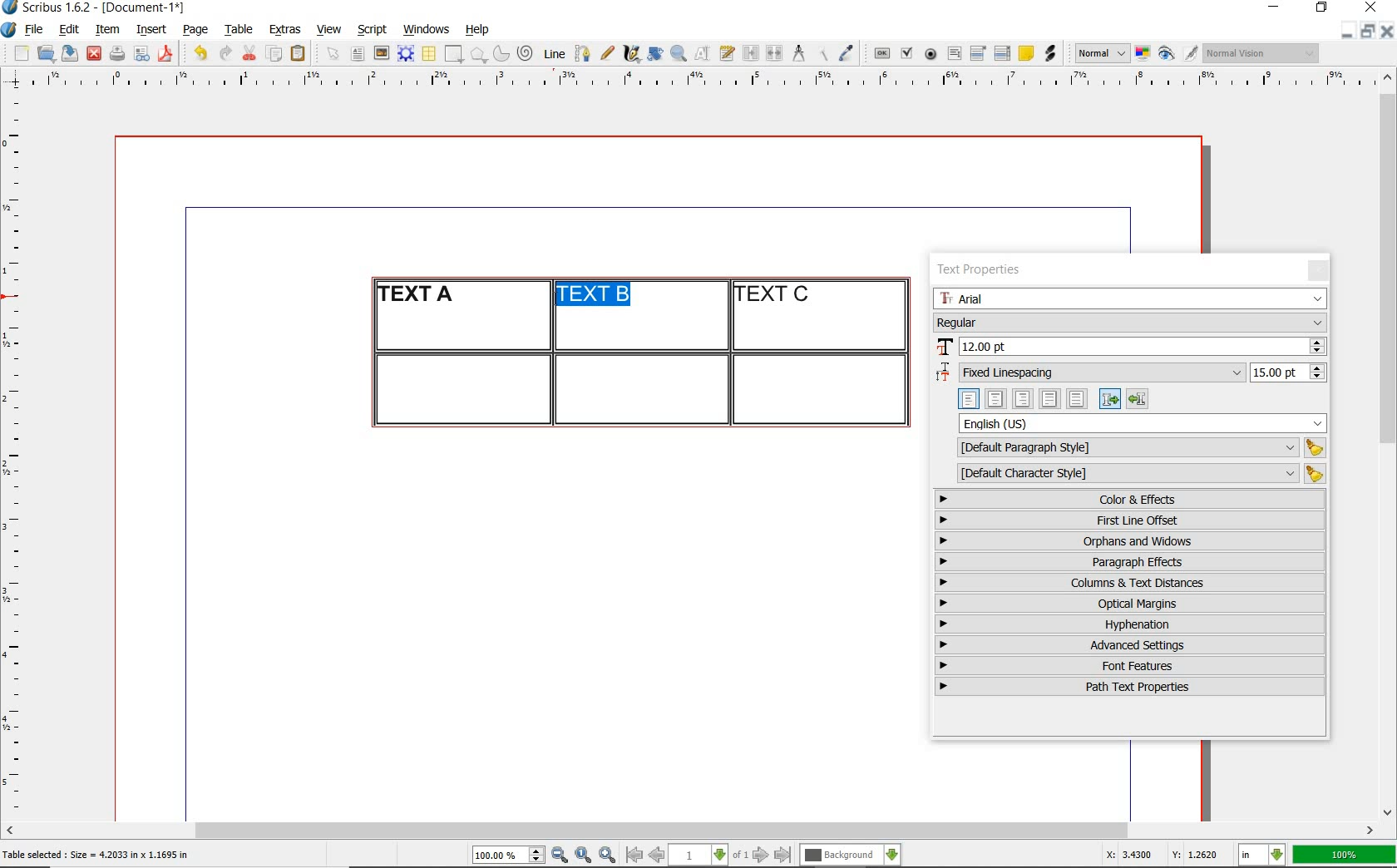 This screenshot has width=1397, height=868. Describe the element at coordinates (195, 29) in the screenshot. I see `page` at that location.